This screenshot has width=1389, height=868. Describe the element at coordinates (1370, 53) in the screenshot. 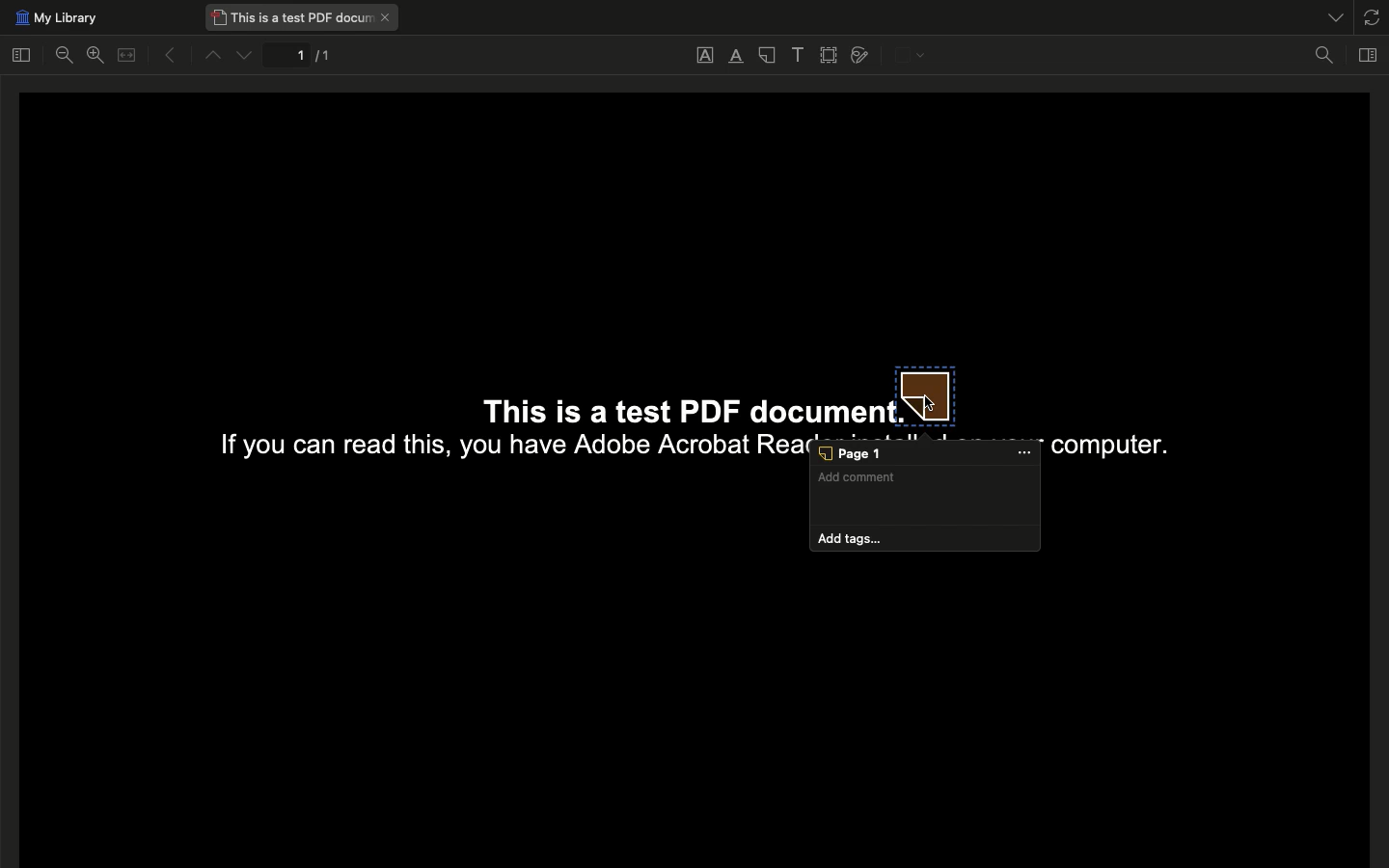

I see `Toggle context pane` at that location.